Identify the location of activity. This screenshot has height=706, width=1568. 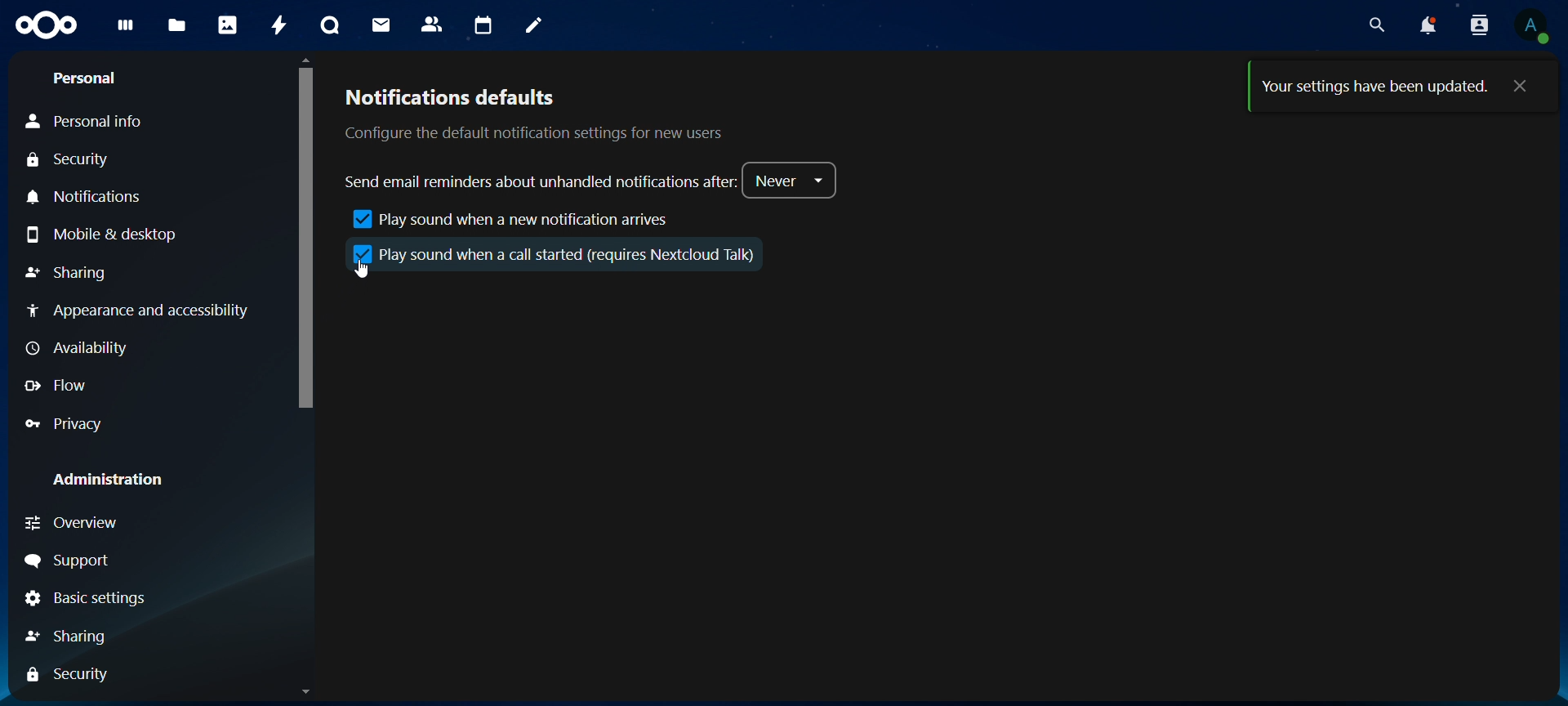
(278, 24).